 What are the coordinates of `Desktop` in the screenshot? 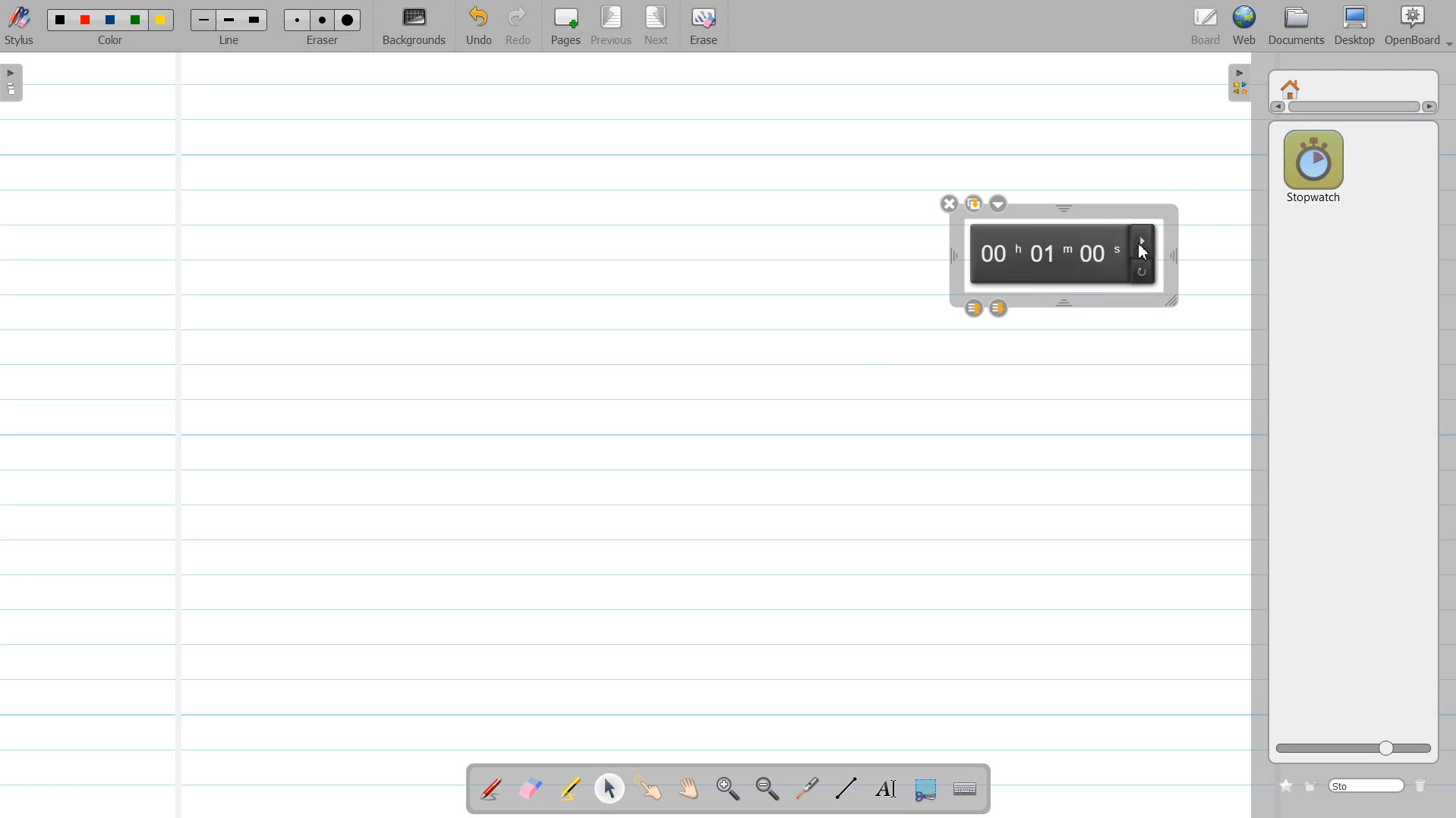 It's located at (1355, 26).